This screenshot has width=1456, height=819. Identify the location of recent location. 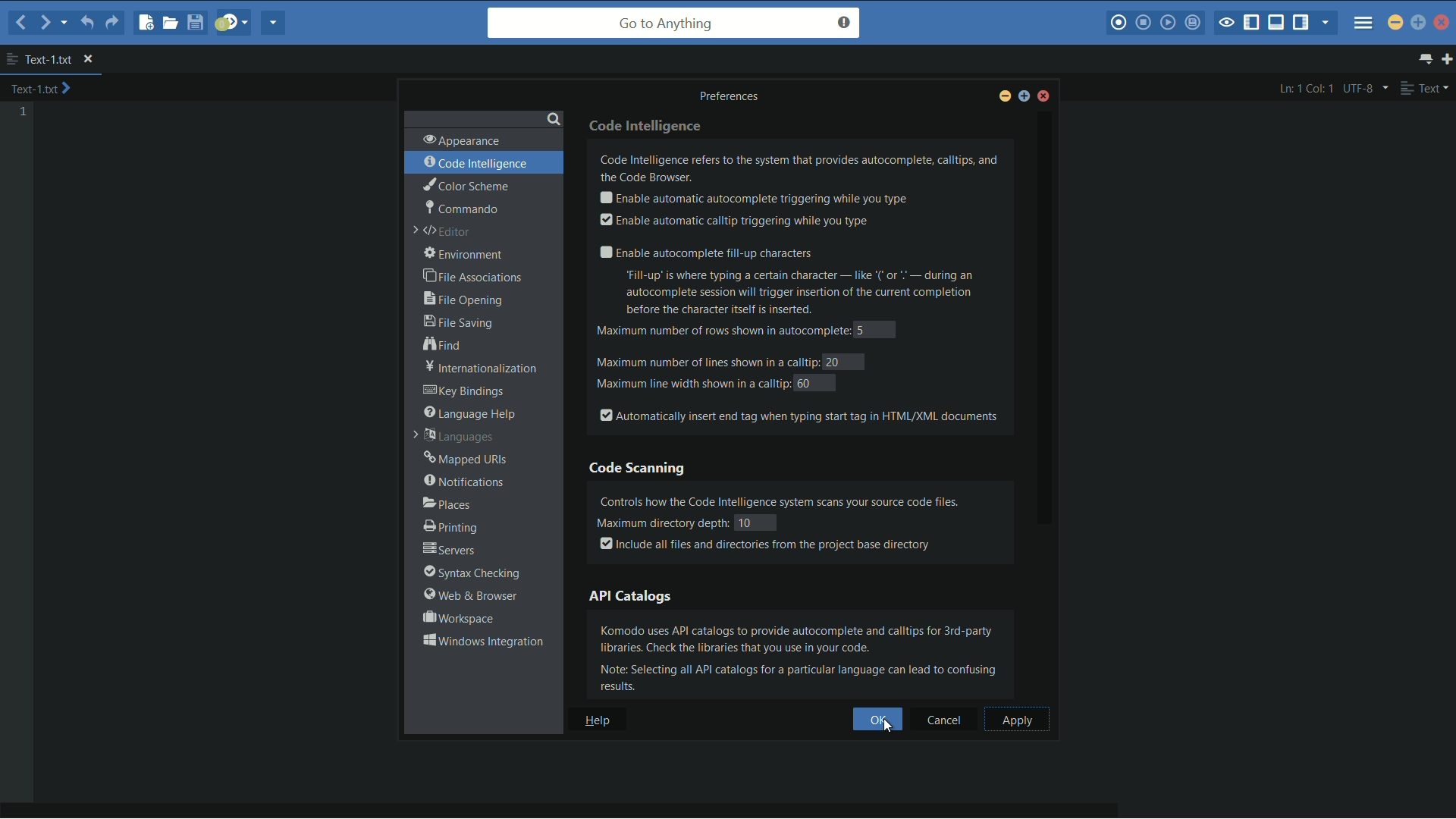
(62, 25).